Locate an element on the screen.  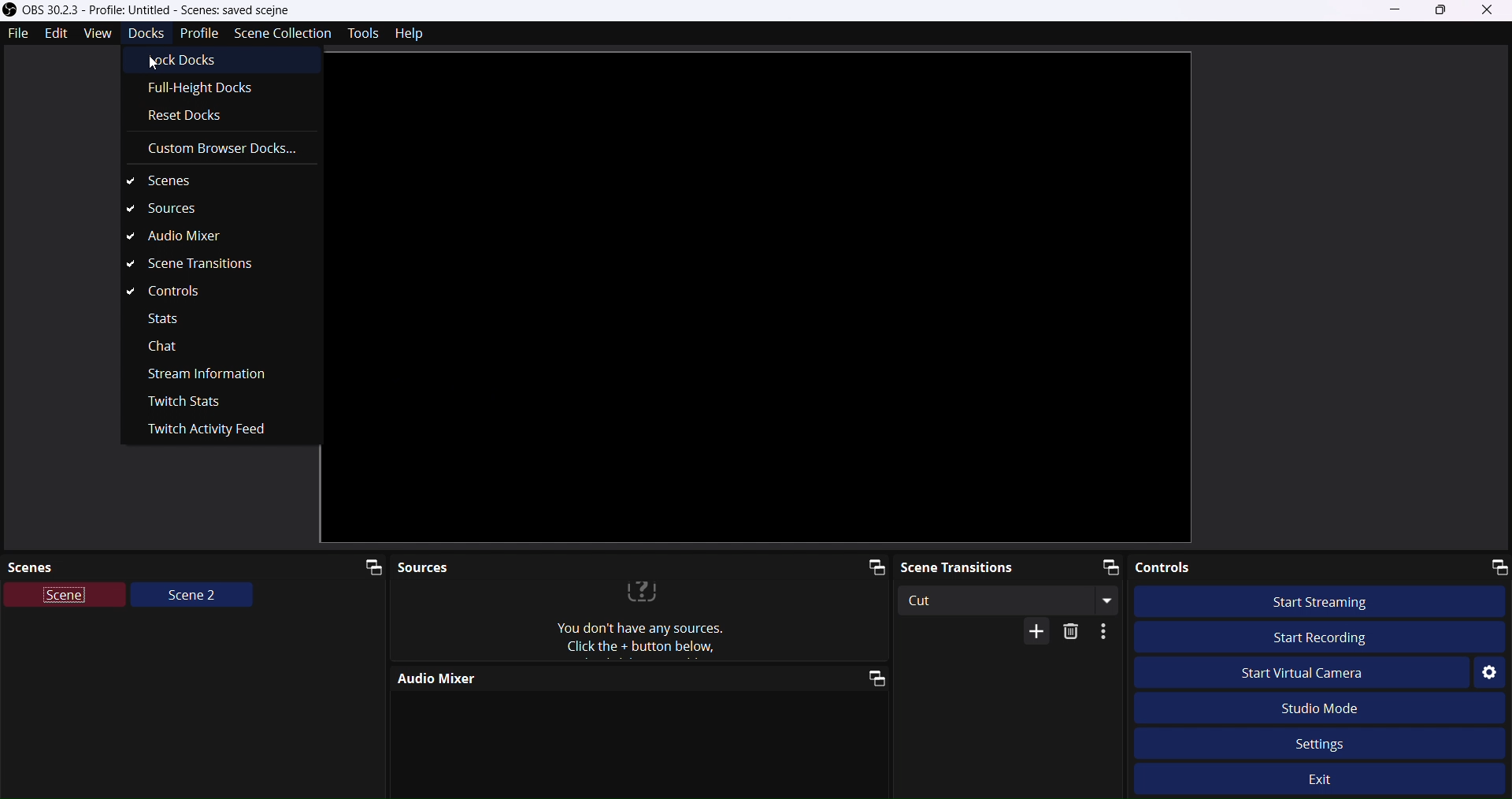
Tools is located at coordinates (358, 34).